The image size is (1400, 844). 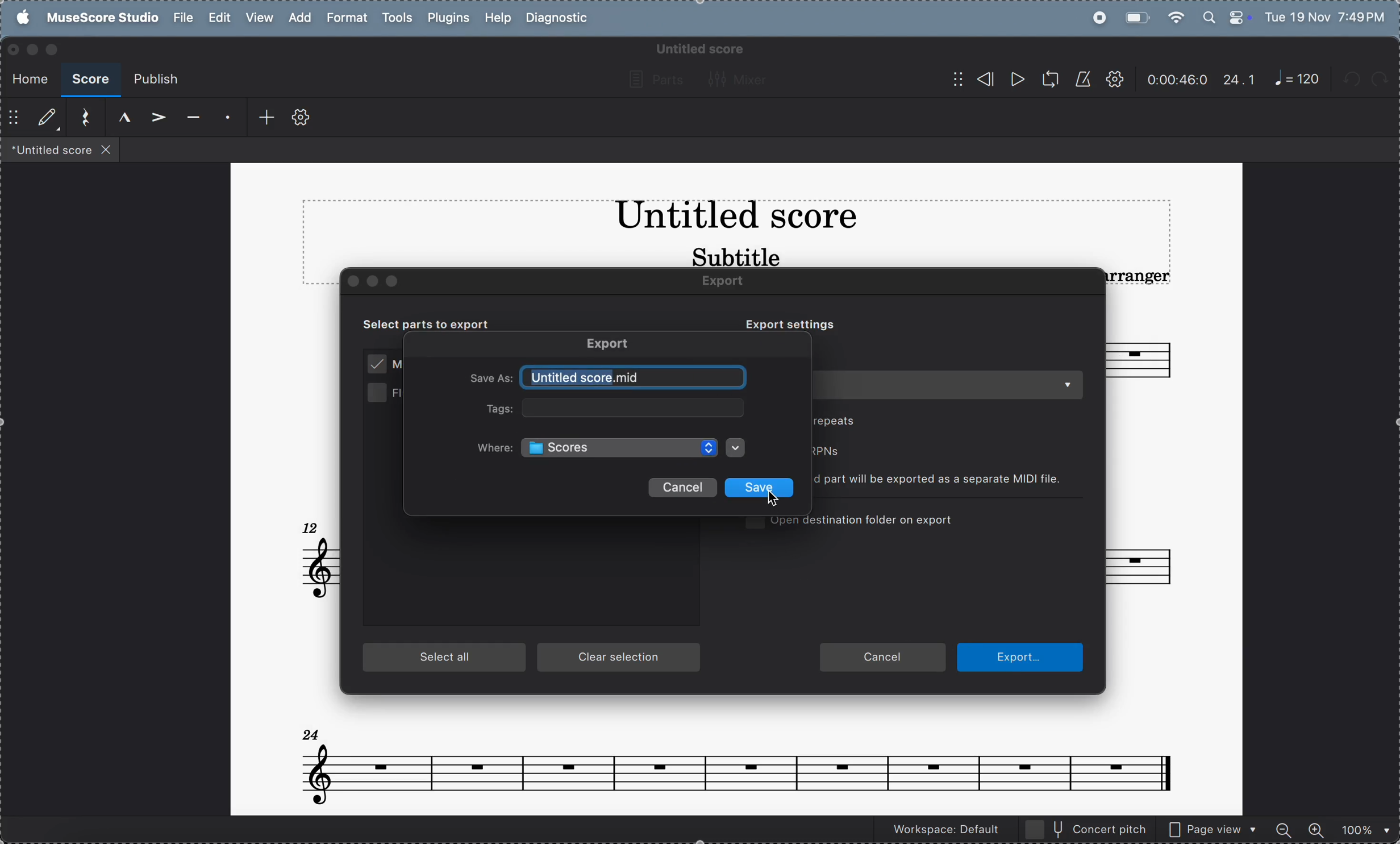 What do you see at coordinates (155, 80) in the screenshot?
I see `publish` at bounding box center [155, 80].